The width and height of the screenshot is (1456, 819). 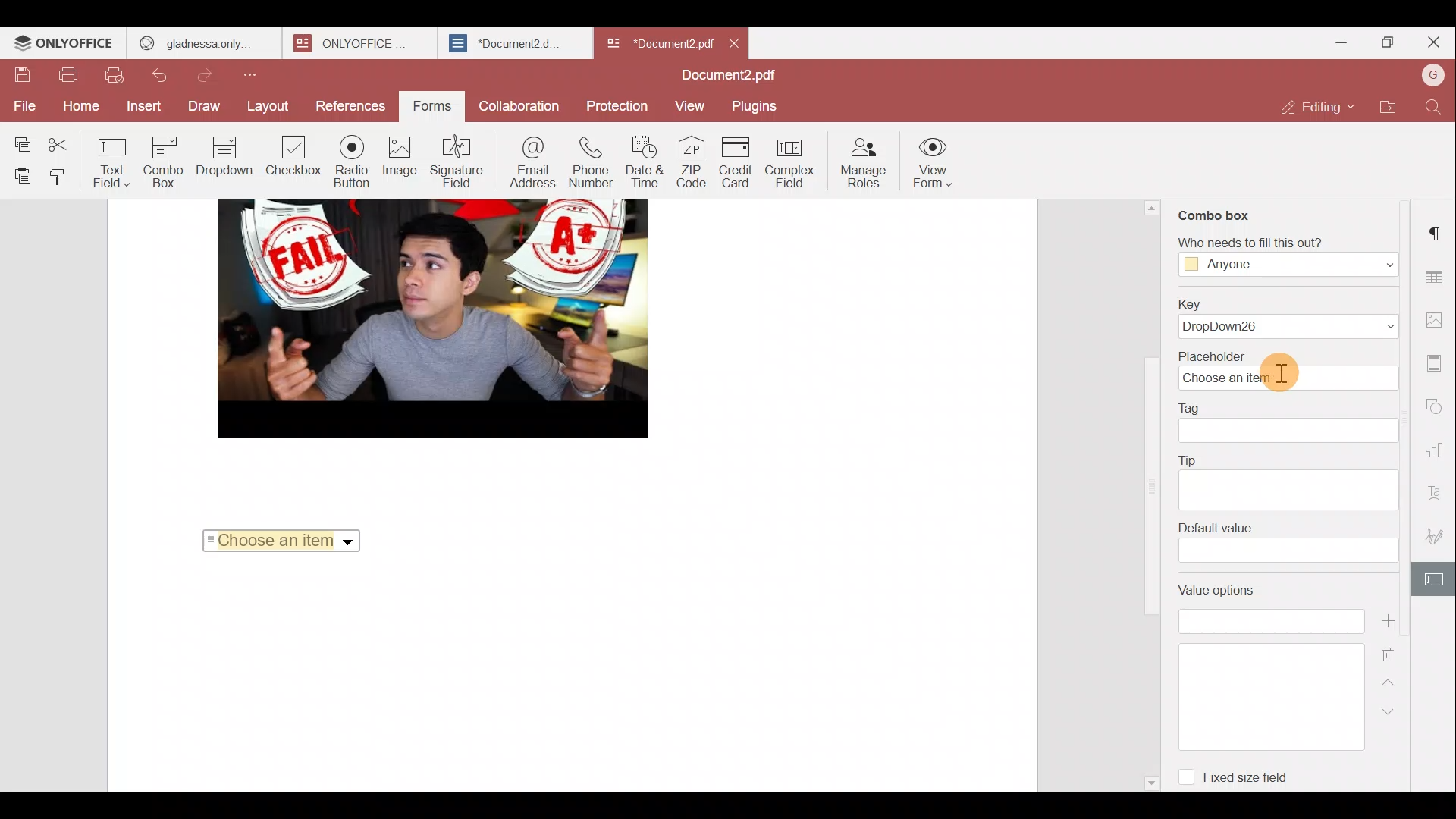 I want to click on Table settings, so click(x=1439, y=277).